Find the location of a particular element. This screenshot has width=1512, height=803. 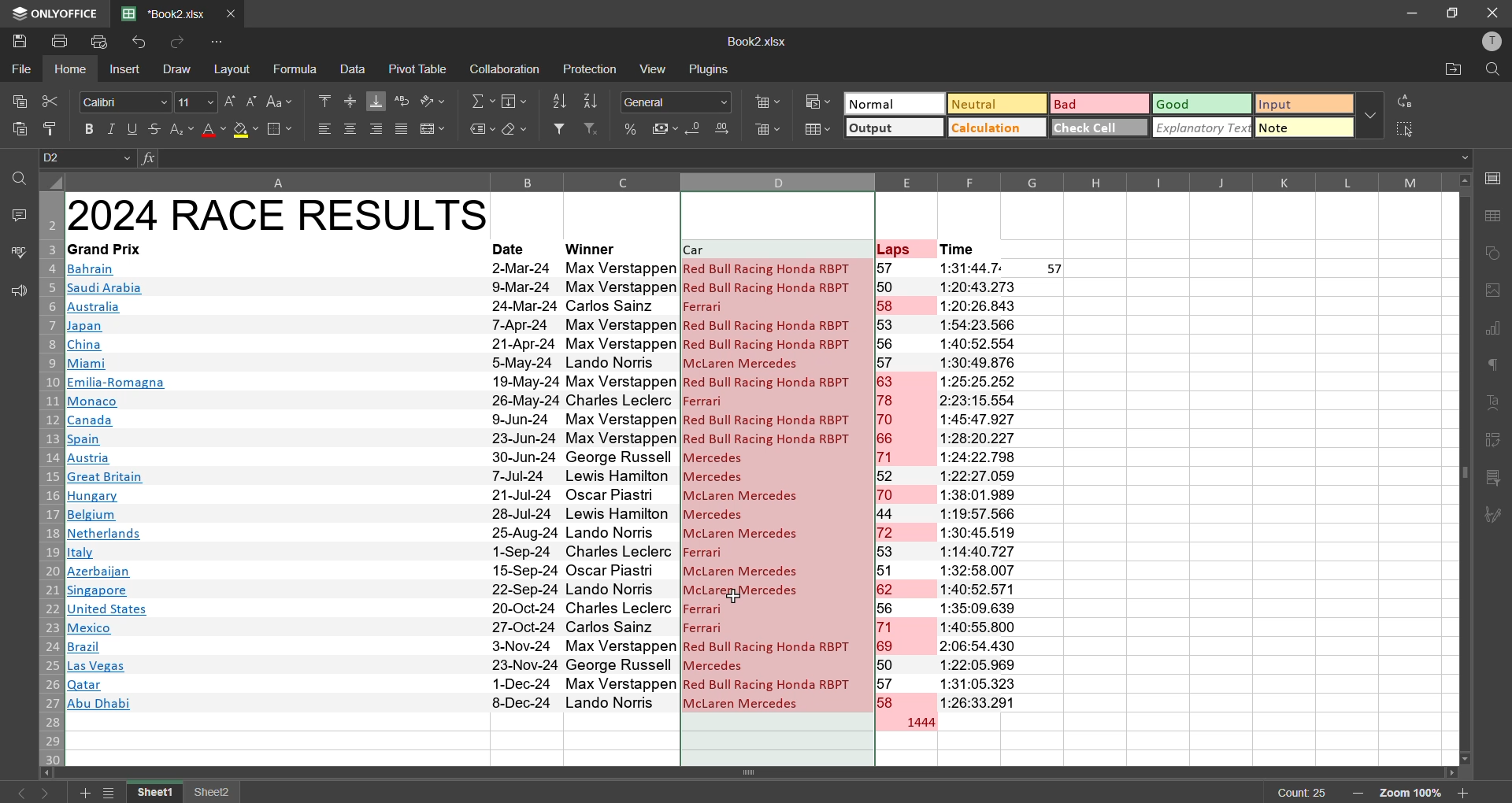

font color is located at coordinates (213, 129).